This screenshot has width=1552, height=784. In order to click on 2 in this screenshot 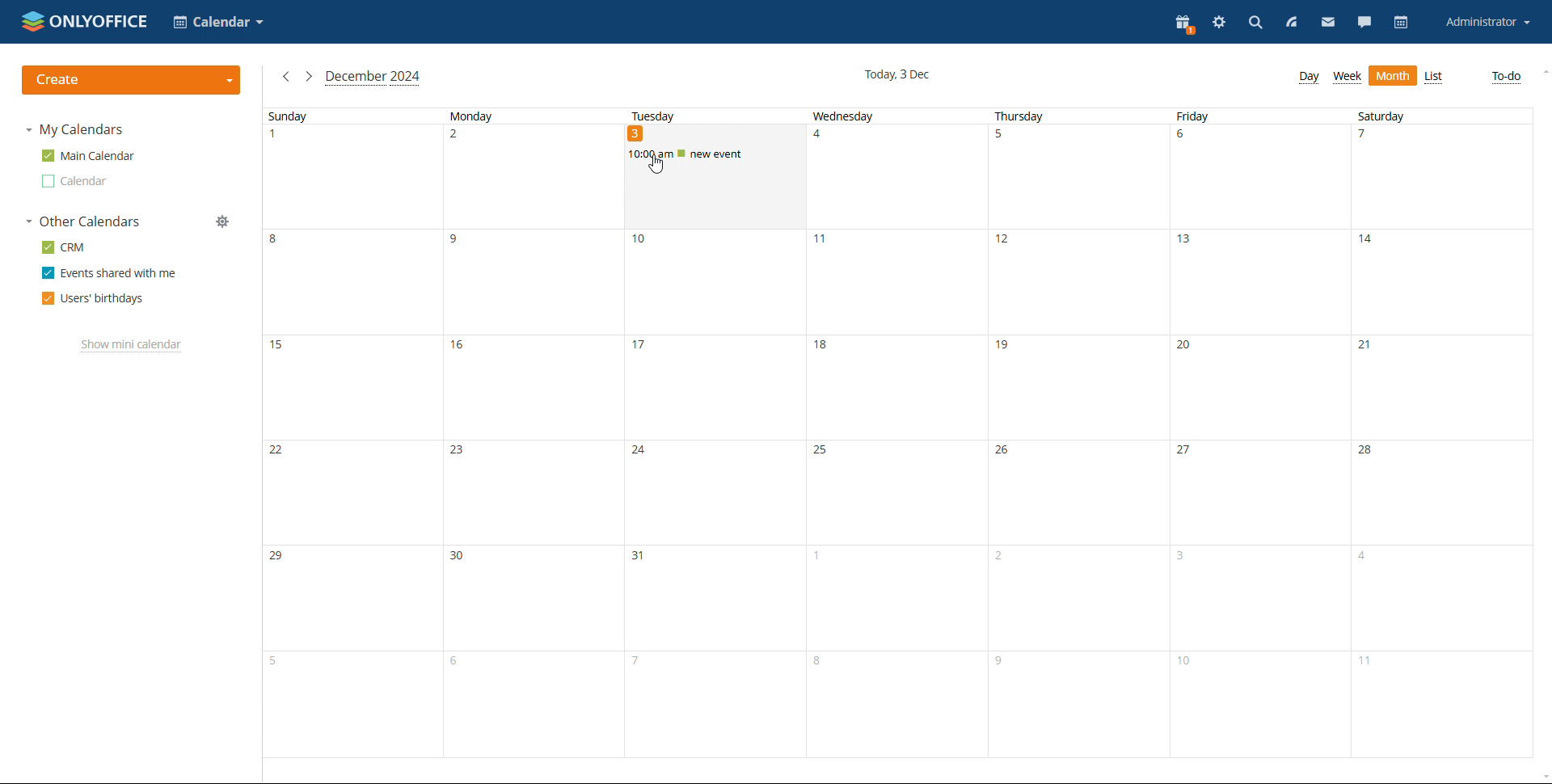, I will do `click(1077, 597)`.